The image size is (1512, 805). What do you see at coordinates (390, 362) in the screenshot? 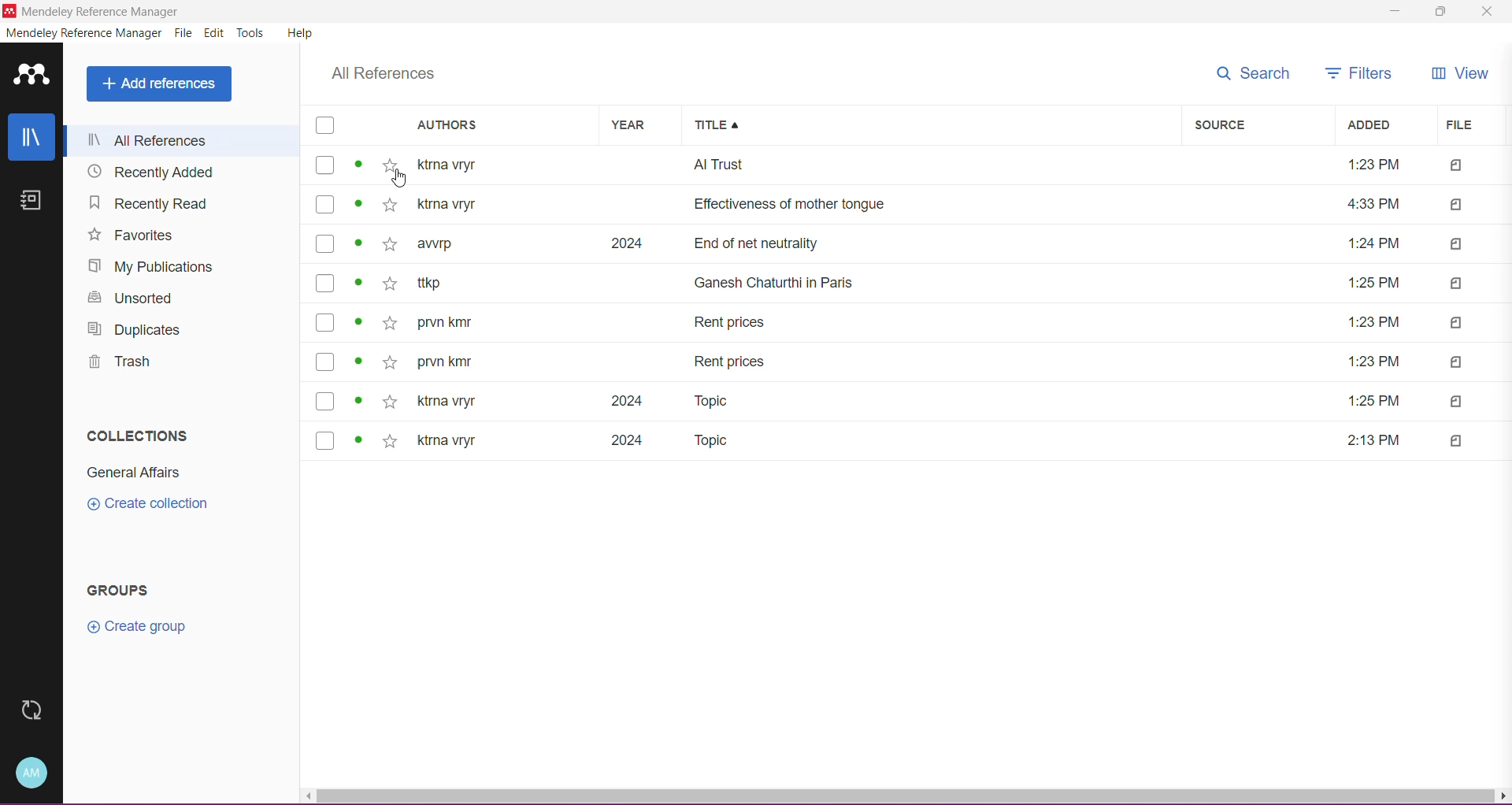
I see `Add to favorite` at bounding box center [390, 362].